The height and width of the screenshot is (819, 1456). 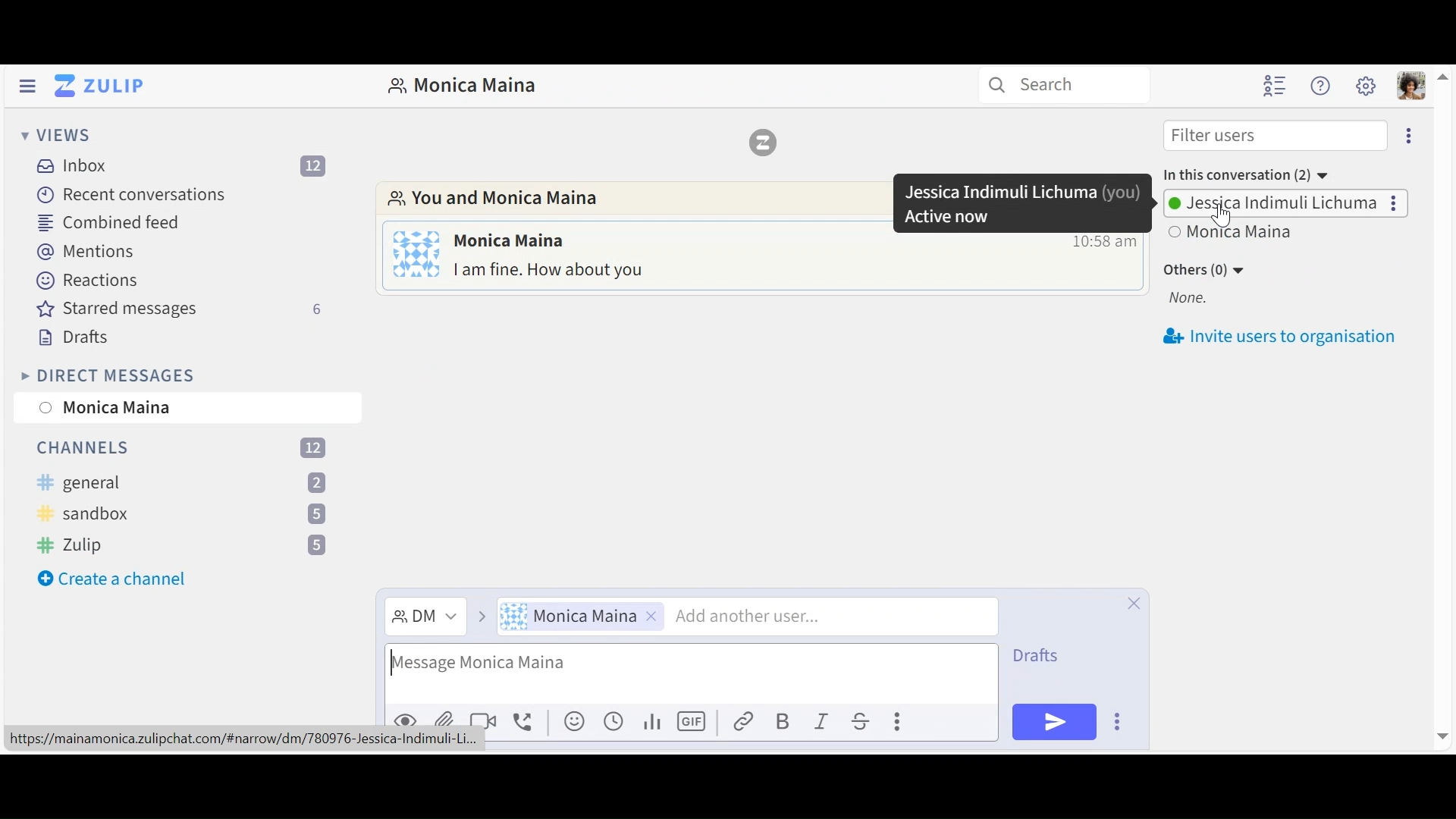 What do you see at coordinates (693, 723) in the screenshot?
I see `Add GIF` at bounding box center [693, 723].